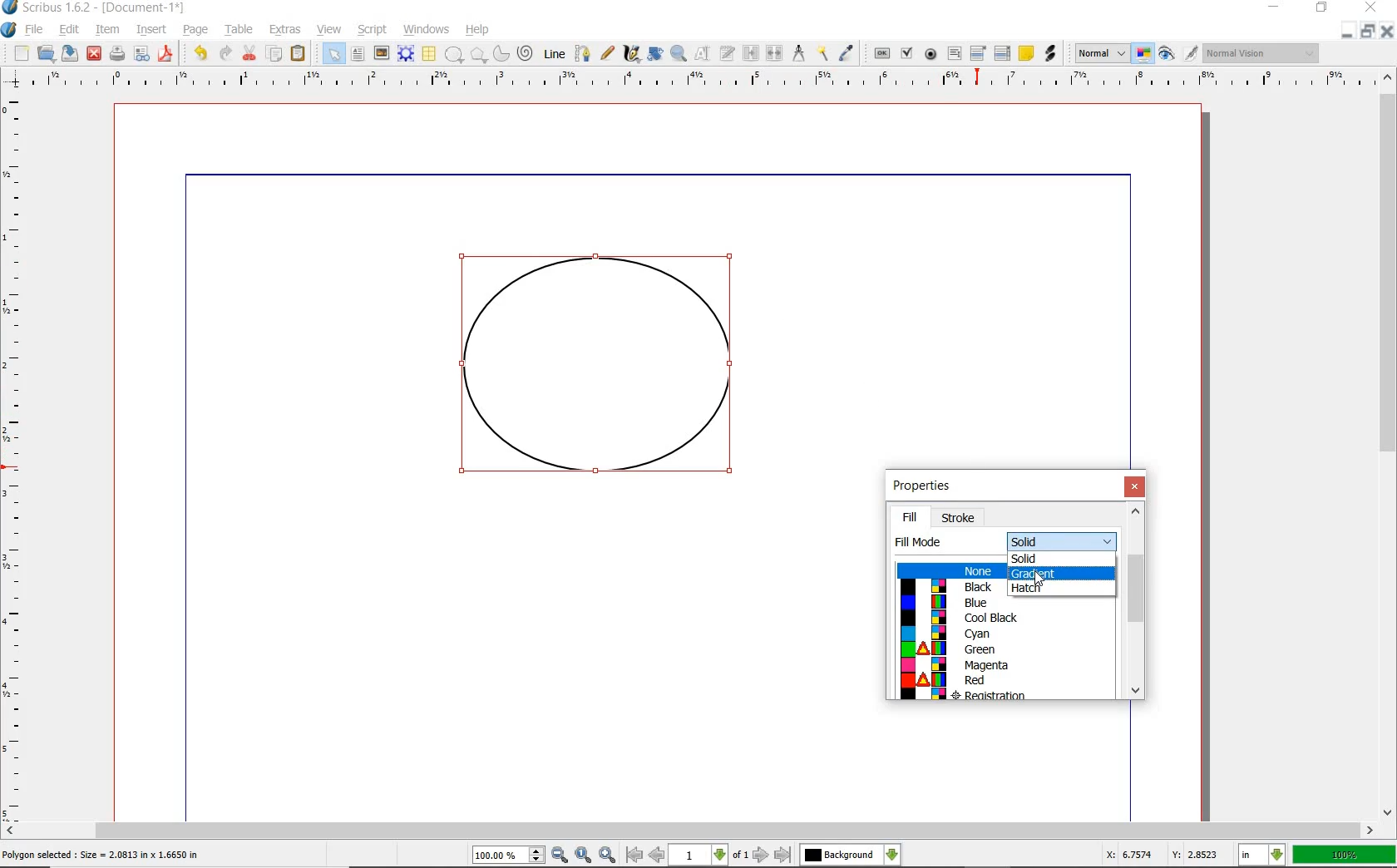 The height and width of the screenshot is (868, 1397). Describe the element at coordinates (1025, 52) in the screenshot. I see `TEXT ANNOATATION` at that location.